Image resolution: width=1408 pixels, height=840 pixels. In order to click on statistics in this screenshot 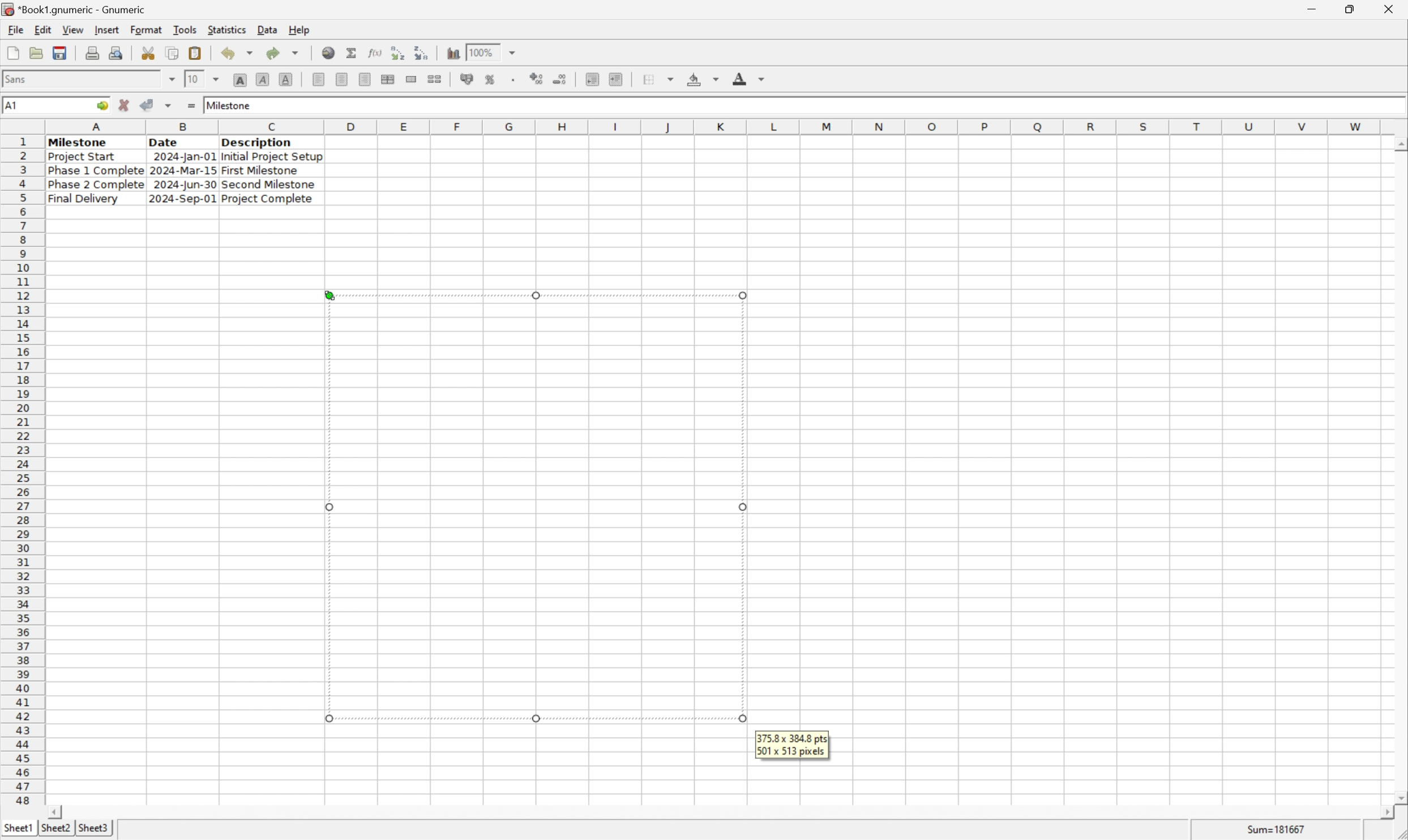, I will do `click(228, 29)`.